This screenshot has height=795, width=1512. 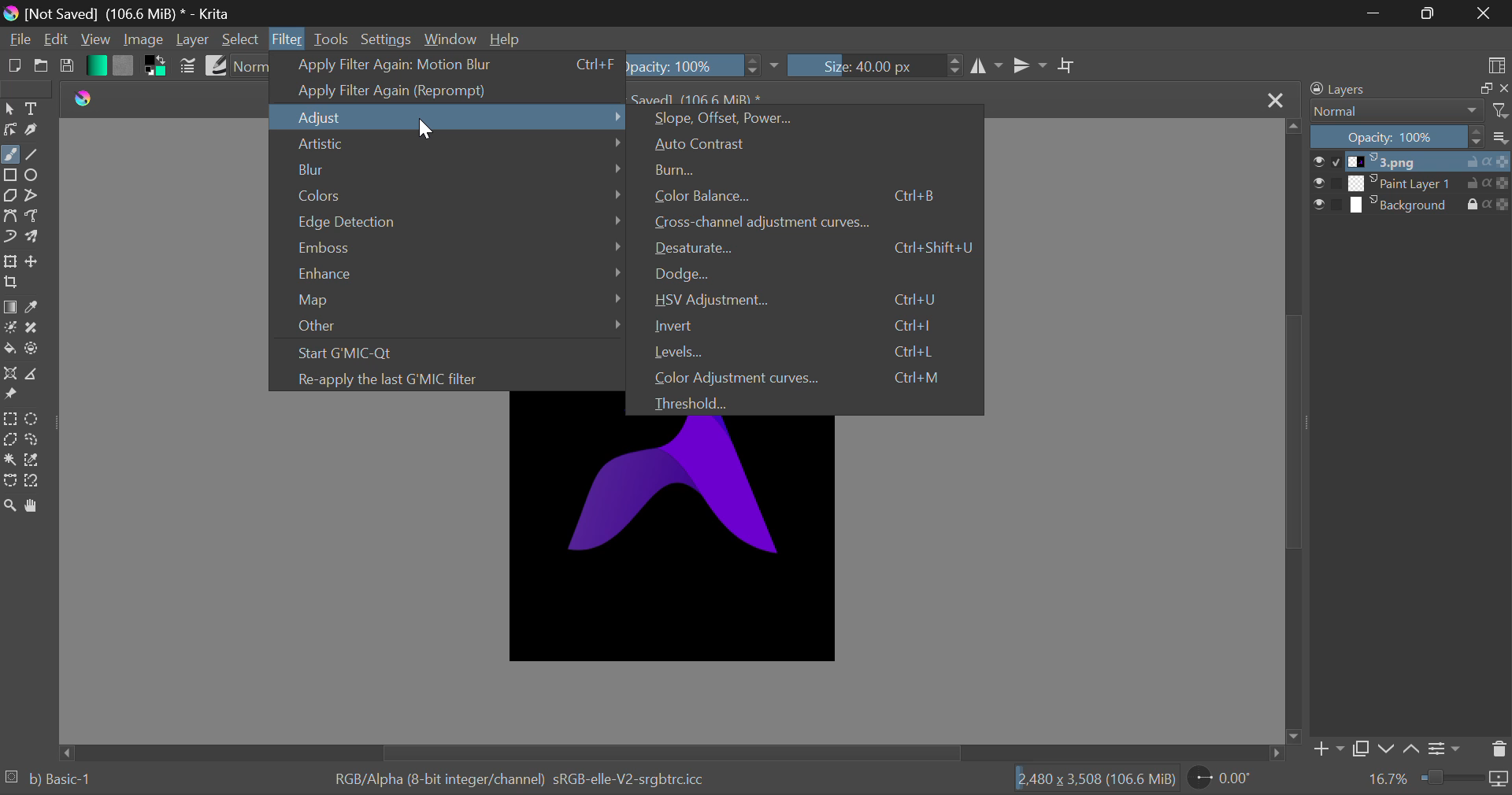 What do you see at coordinates (813, 172) in the screenshot?
I see `Burn` at bounding box center [813, 172].